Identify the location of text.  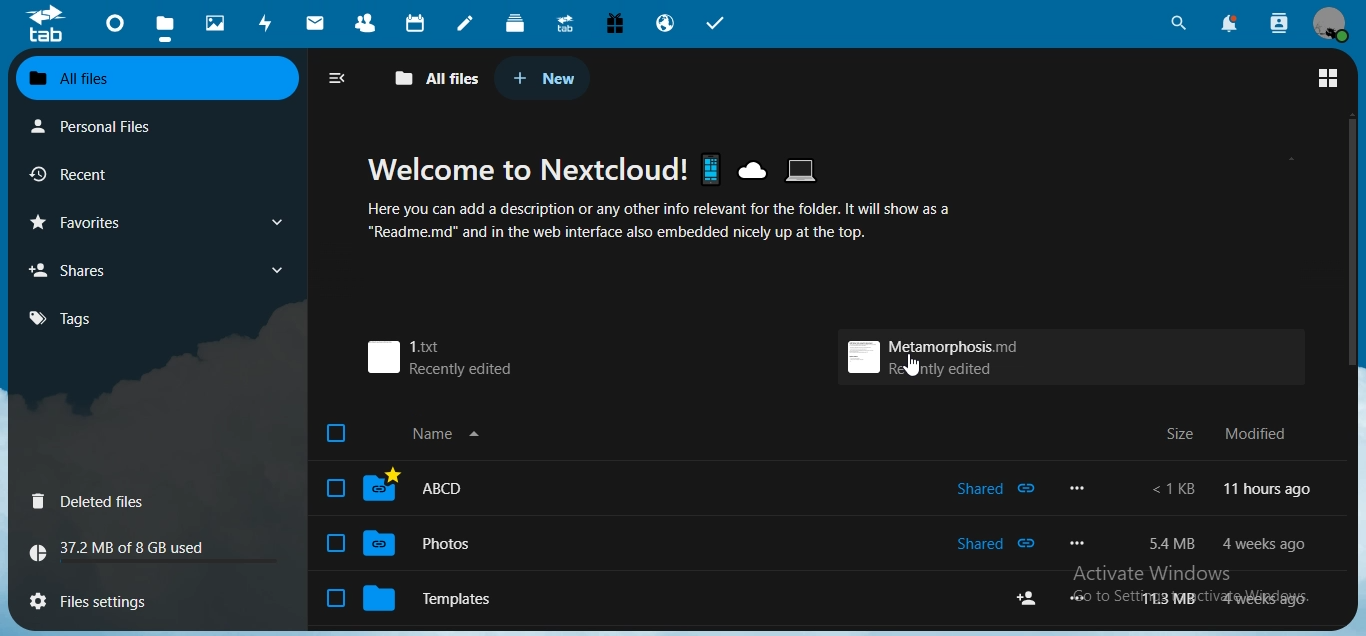
(661, 198).